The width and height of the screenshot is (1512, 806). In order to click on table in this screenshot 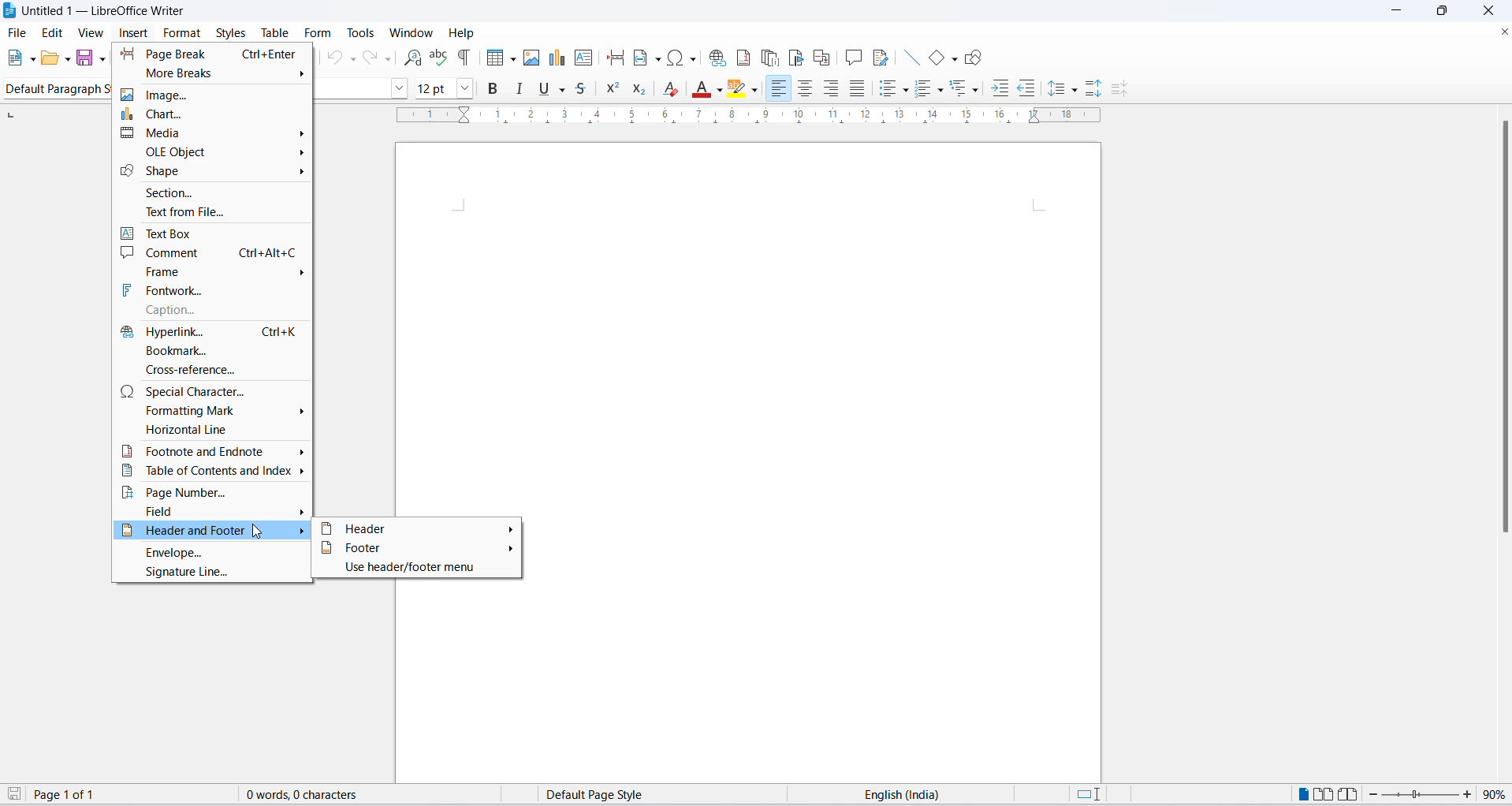, I will do `click(273, 32)`.